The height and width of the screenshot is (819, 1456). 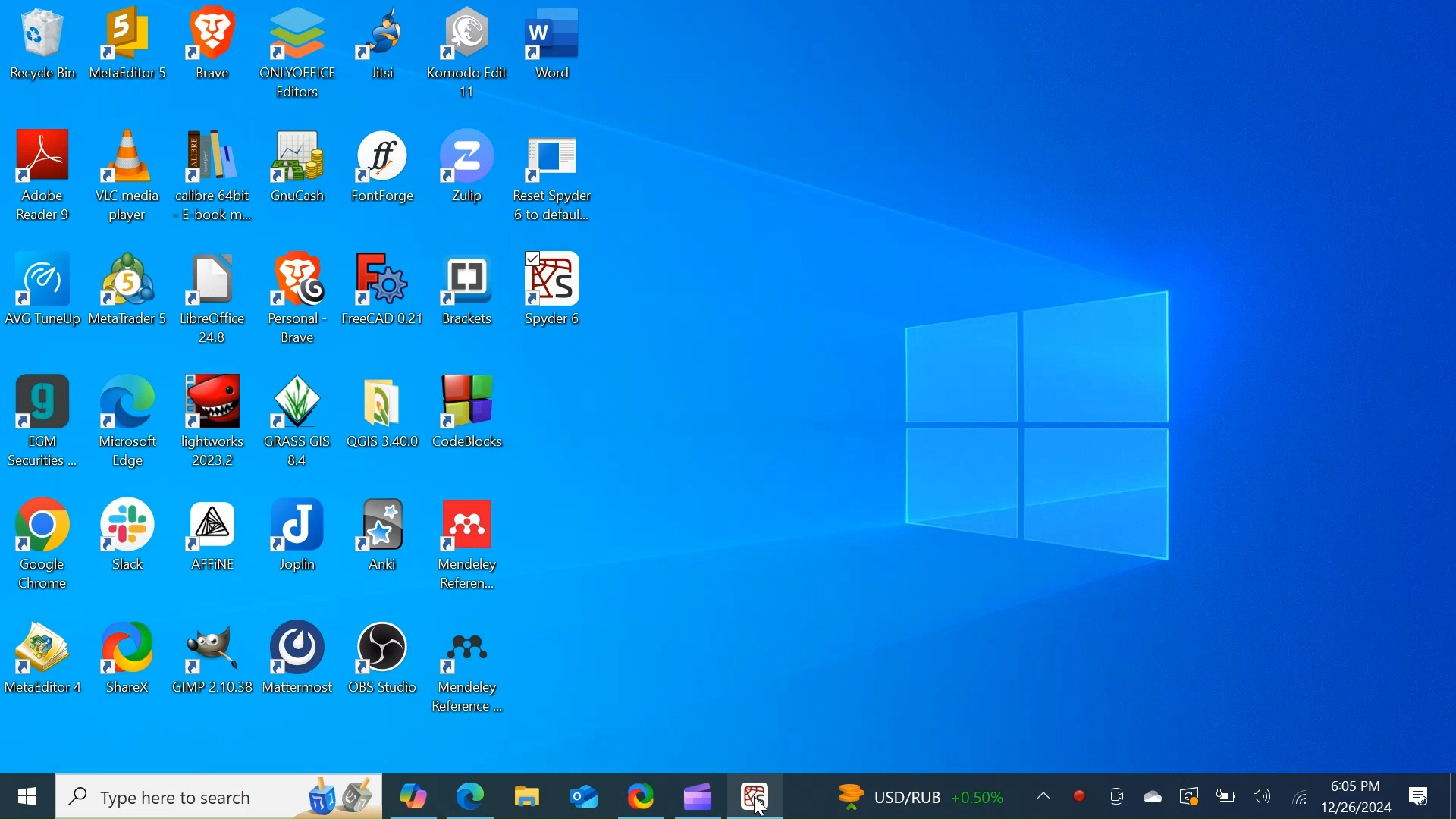 I want to click on Joplin, so click(x=299, y=544).